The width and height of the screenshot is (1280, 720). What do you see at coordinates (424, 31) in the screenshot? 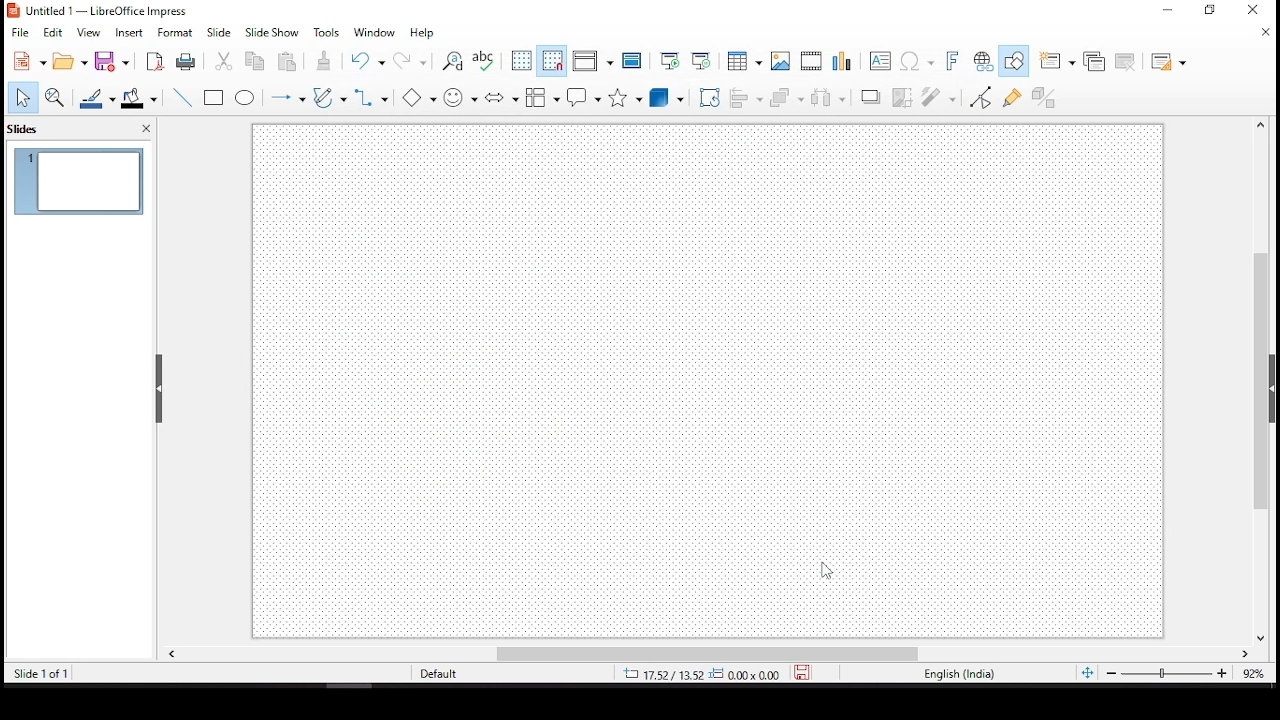
I see `help` at bounding box center [424, 31].